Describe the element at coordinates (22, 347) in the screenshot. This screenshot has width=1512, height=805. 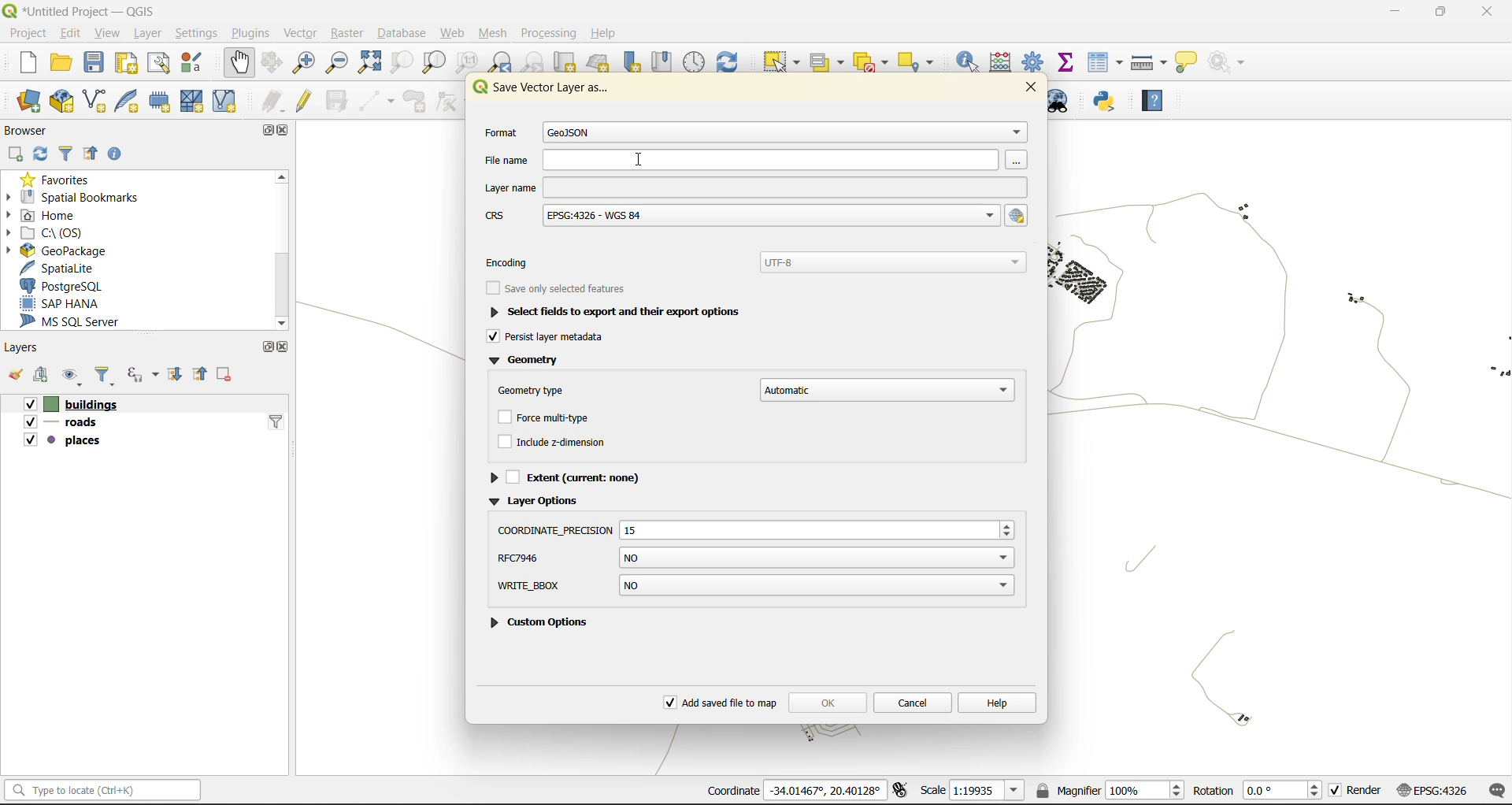
I see `layers` at that location.